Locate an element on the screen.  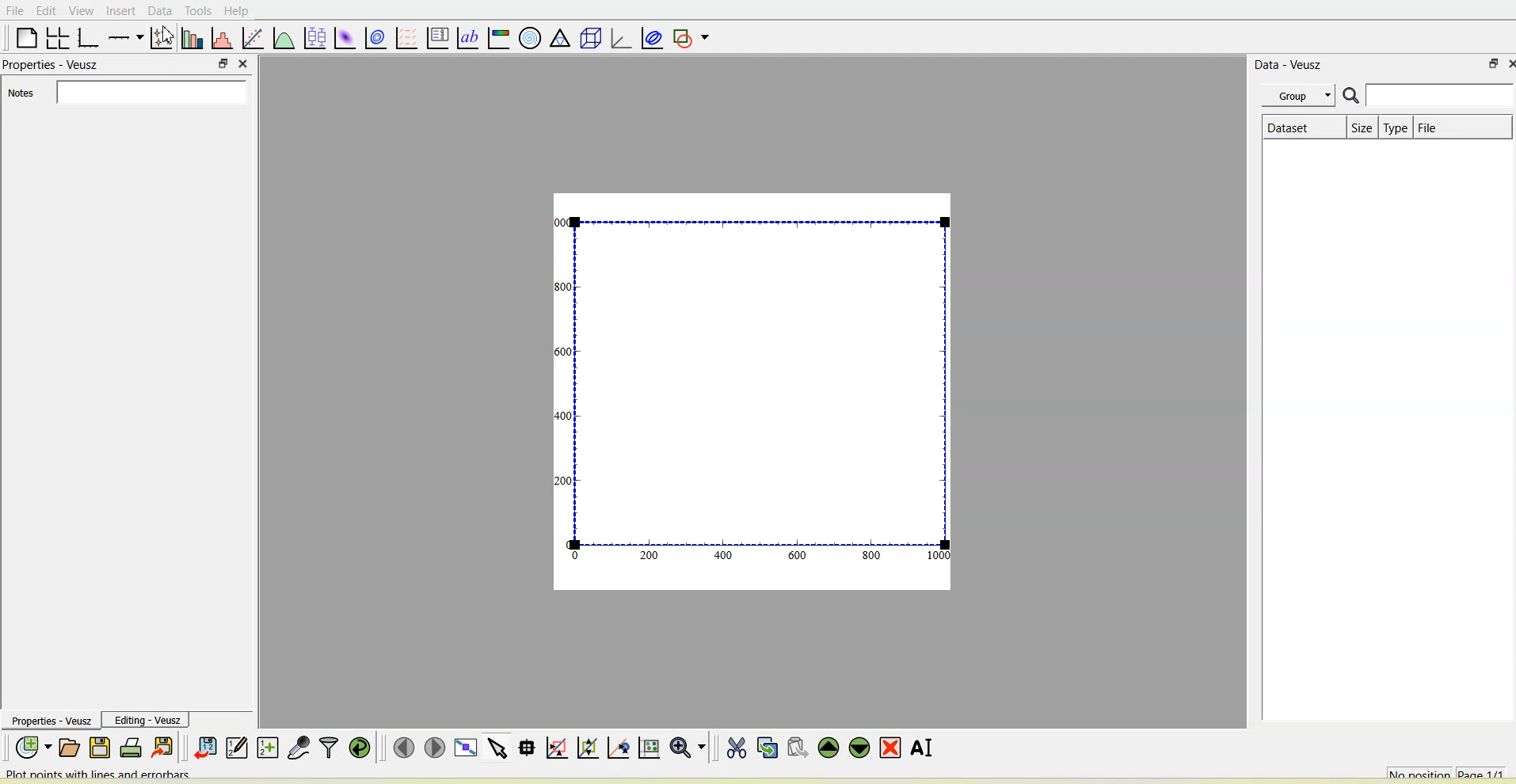
Reload linked datasets is located at coordinates (360, 747).